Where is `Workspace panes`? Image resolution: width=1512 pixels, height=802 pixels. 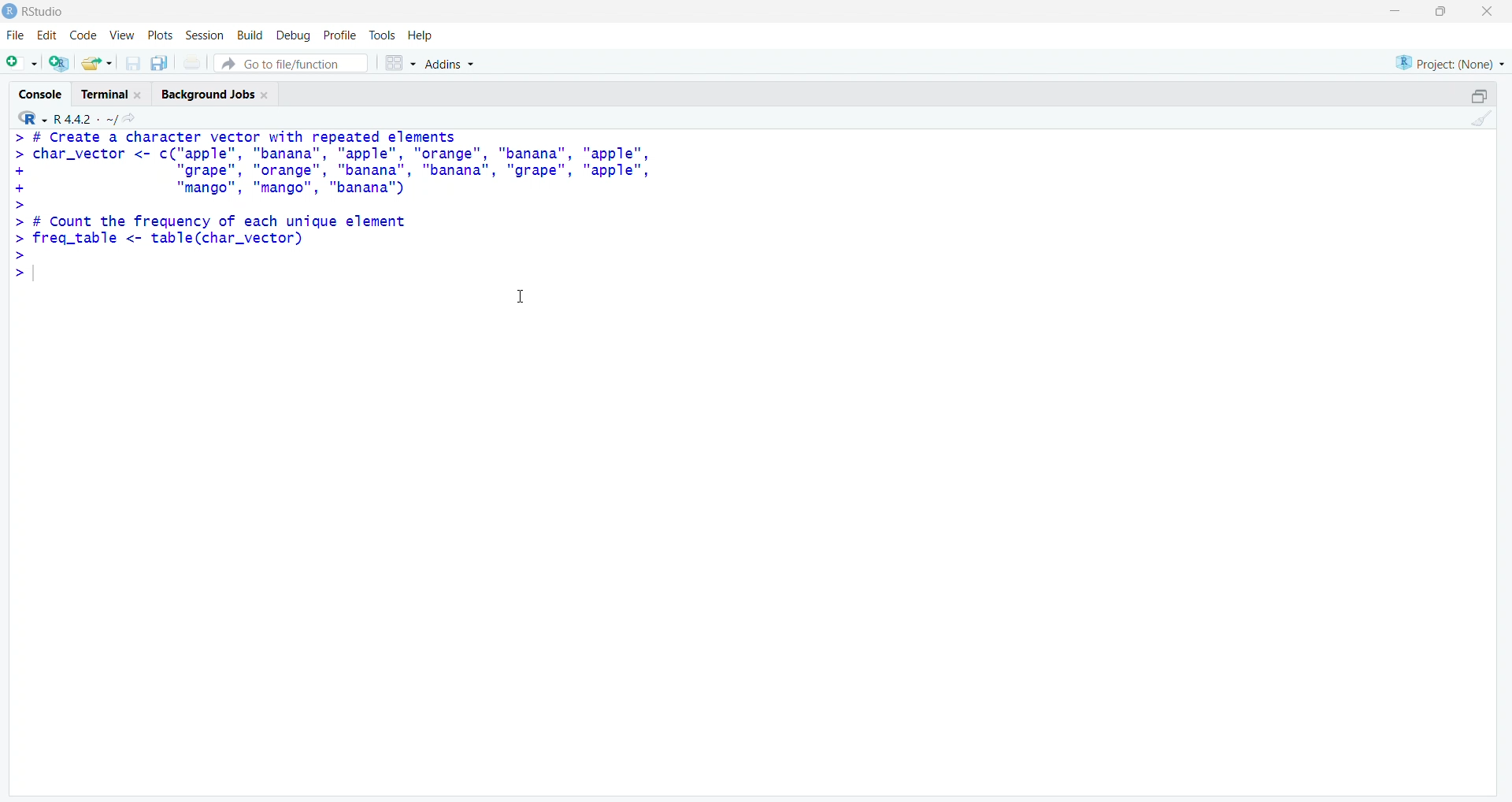 Workspace panes is located at coordinates (401, 64).